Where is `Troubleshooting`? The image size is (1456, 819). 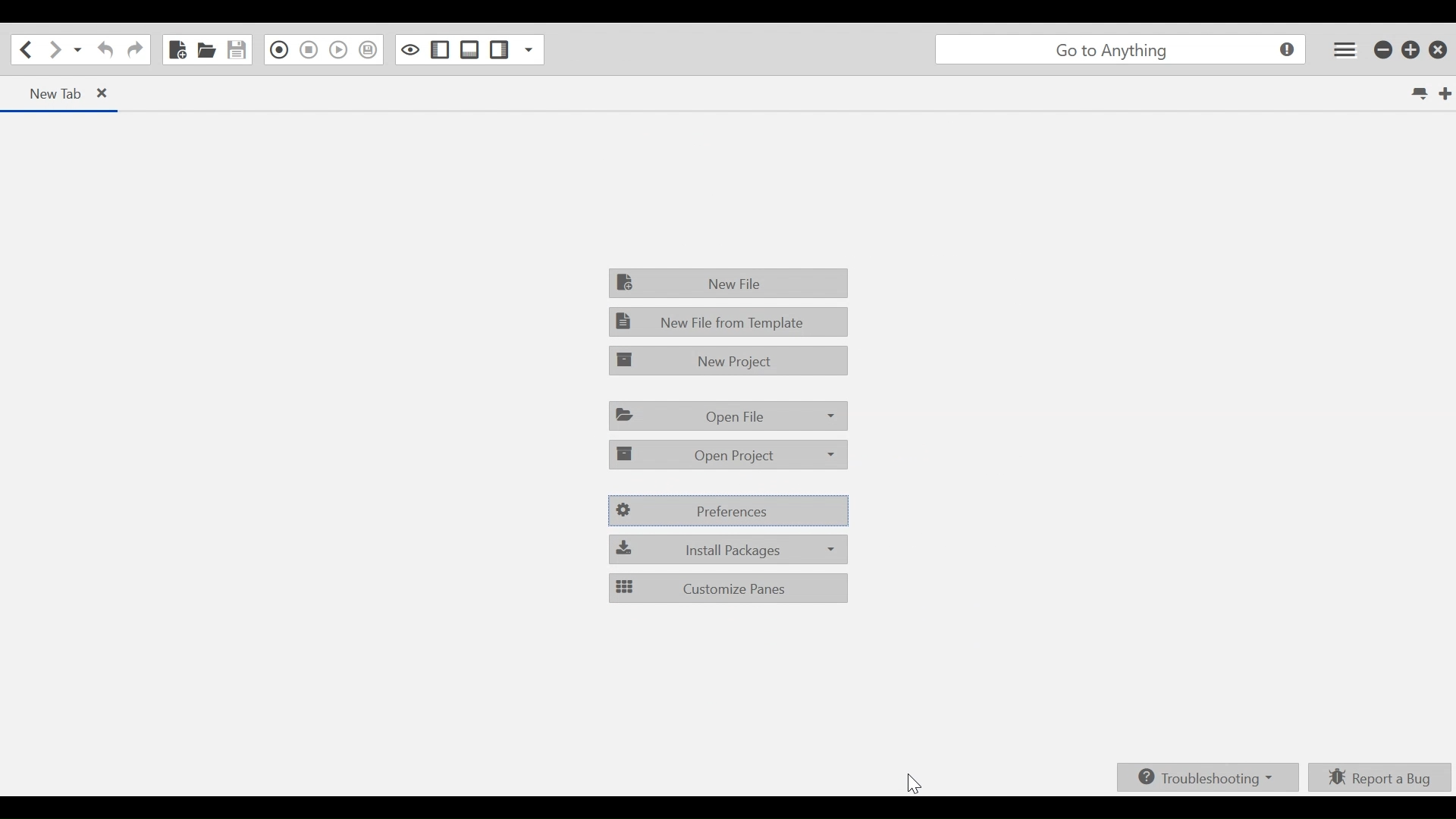 Troubleshooting is located at coordinates (1209, 776).